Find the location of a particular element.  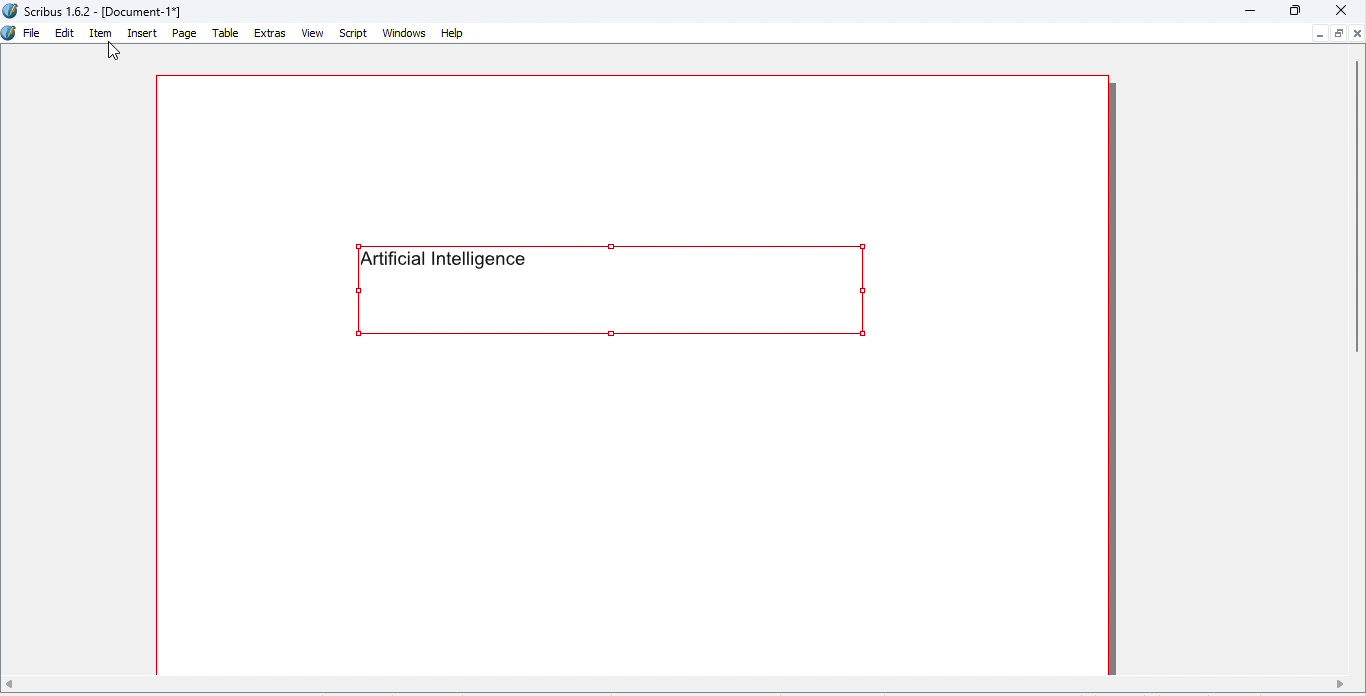

Cursor is located at coordinates (112, 52).